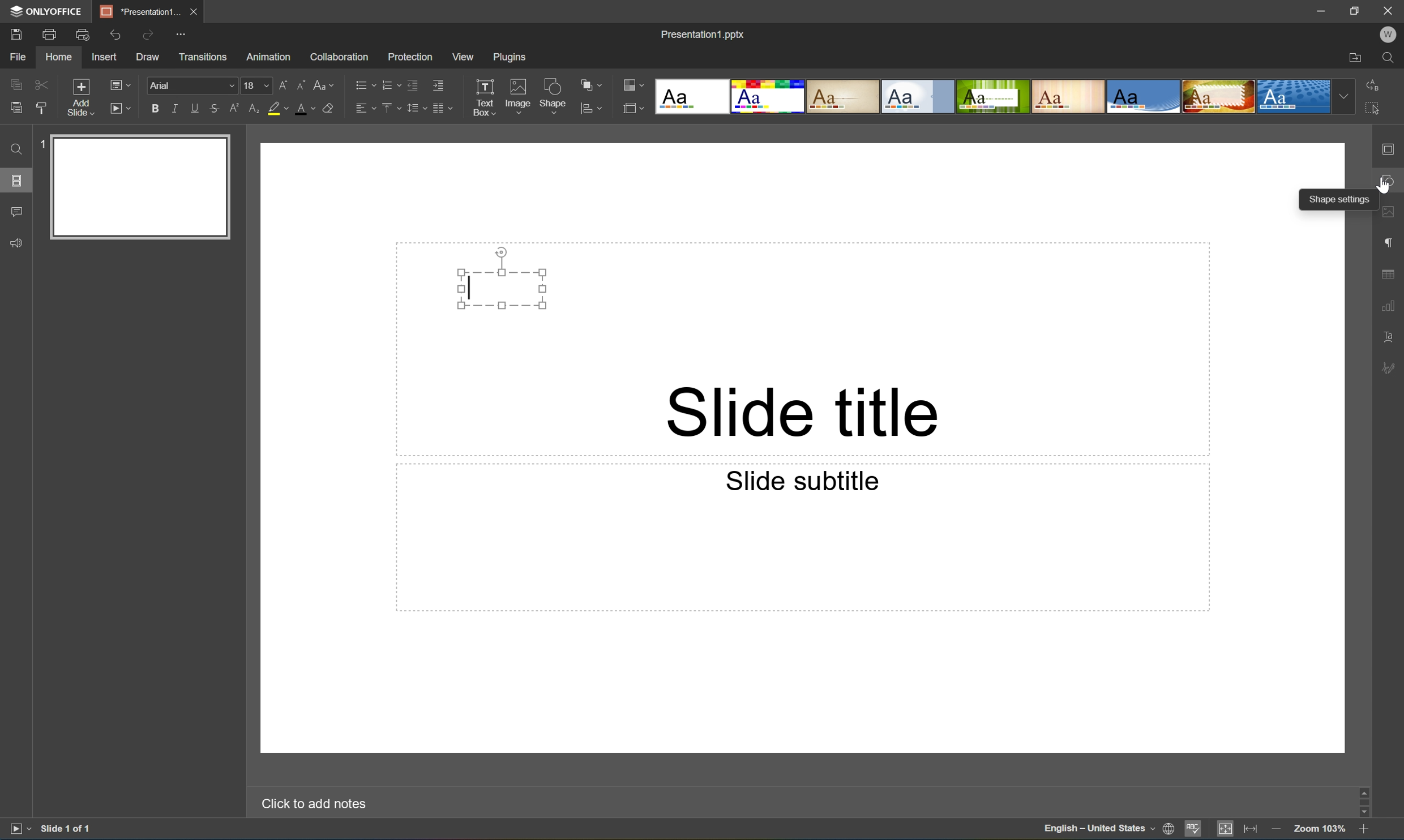  What do you see at coordinates (83, 35) in the screenshot?
I see `Print preview` at bounding box center [83, 35].